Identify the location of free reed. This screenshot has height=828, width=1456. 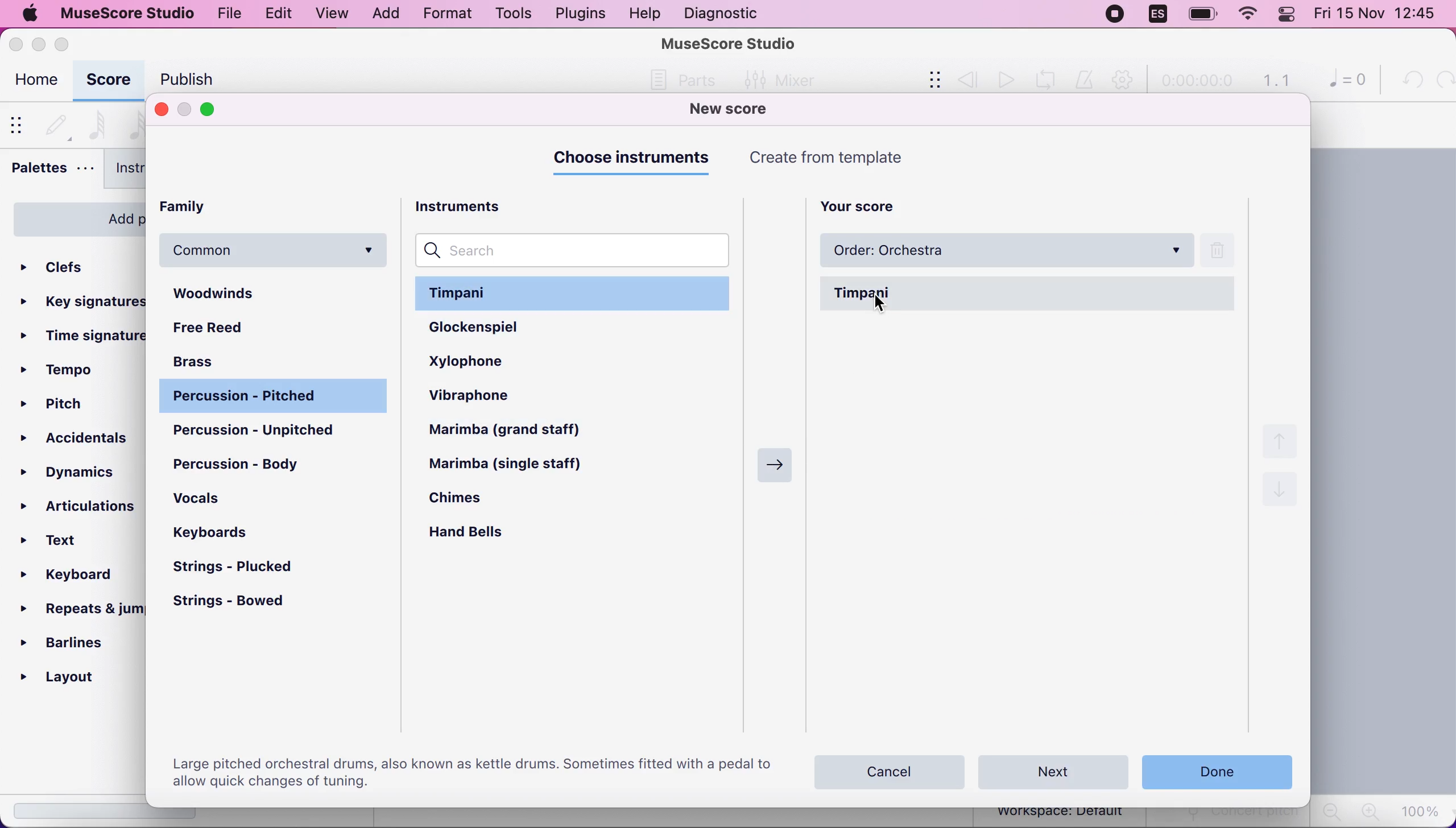
(237, 329).